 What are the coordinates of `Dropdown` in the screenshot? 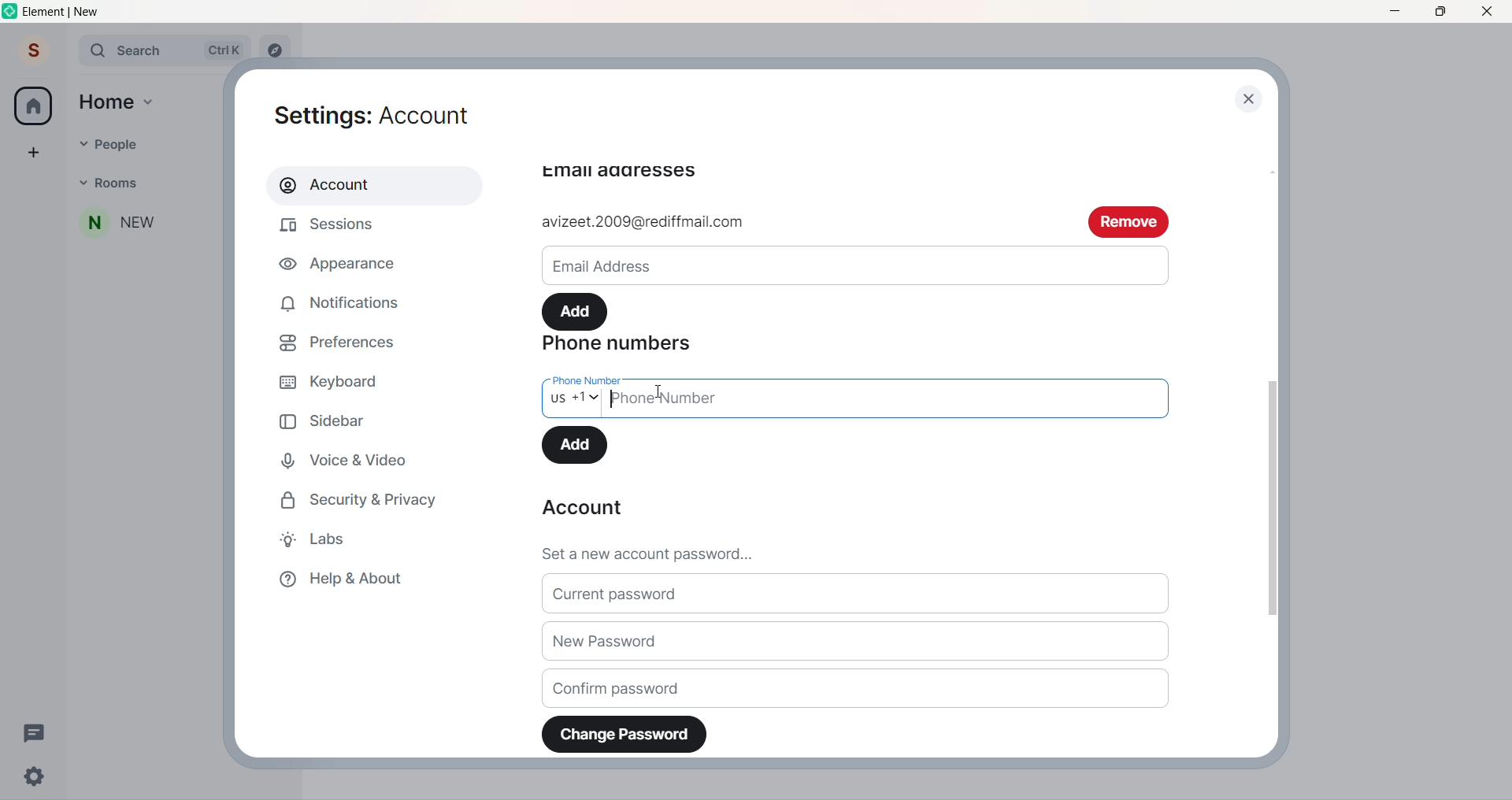 It's located at (79, 143).